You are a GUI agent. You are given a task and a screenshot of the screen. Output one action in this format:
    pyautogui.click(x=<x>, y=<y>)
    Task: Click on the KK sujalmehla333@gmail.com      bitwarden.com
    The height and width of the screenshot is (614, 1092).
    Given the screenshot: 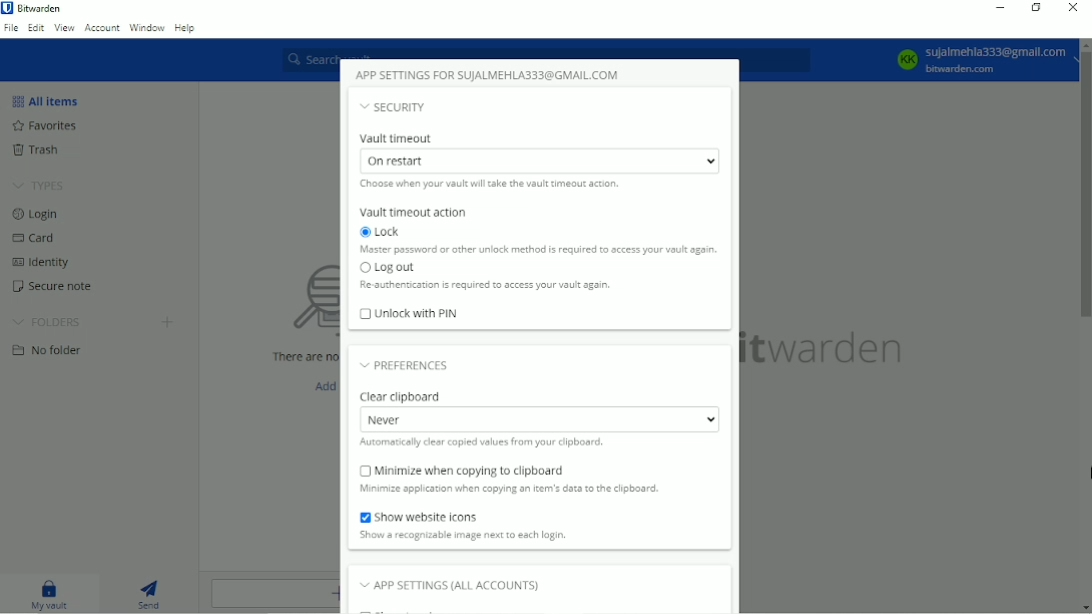 What is the action you would take?
    pyautogui.click(x=980, y=59)
    